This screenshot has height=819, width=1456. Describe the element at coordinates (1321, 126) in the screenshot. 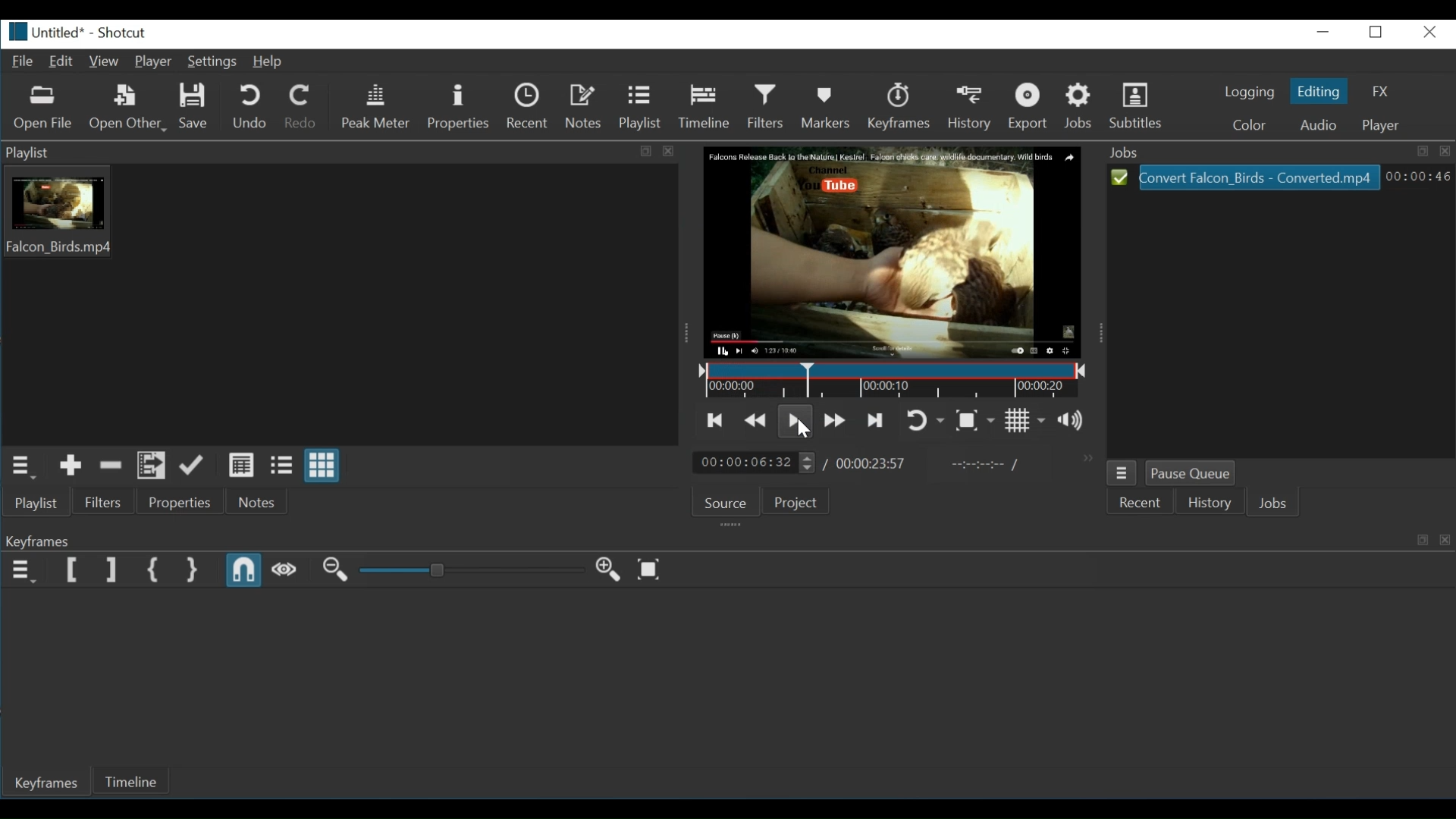

I see `Audio` at that location.